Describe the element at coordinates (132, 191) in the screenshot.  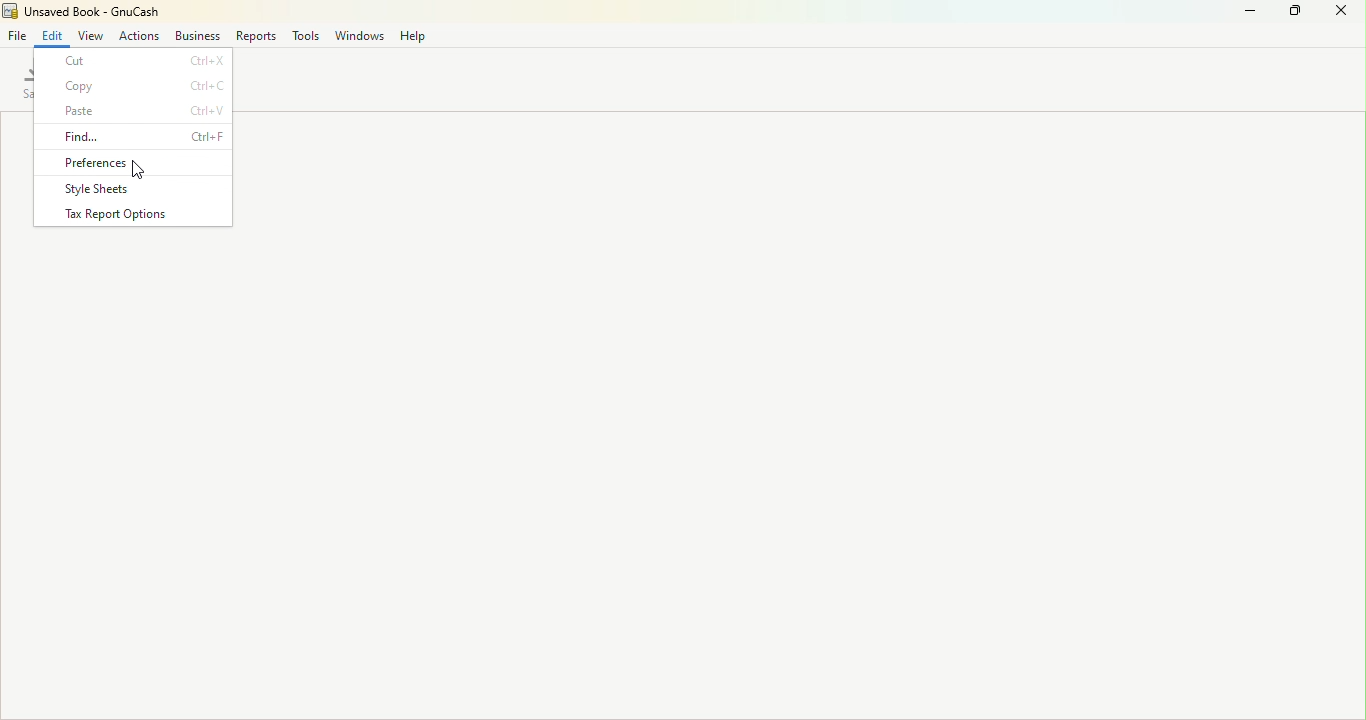
I see `Style sheets` at that location.